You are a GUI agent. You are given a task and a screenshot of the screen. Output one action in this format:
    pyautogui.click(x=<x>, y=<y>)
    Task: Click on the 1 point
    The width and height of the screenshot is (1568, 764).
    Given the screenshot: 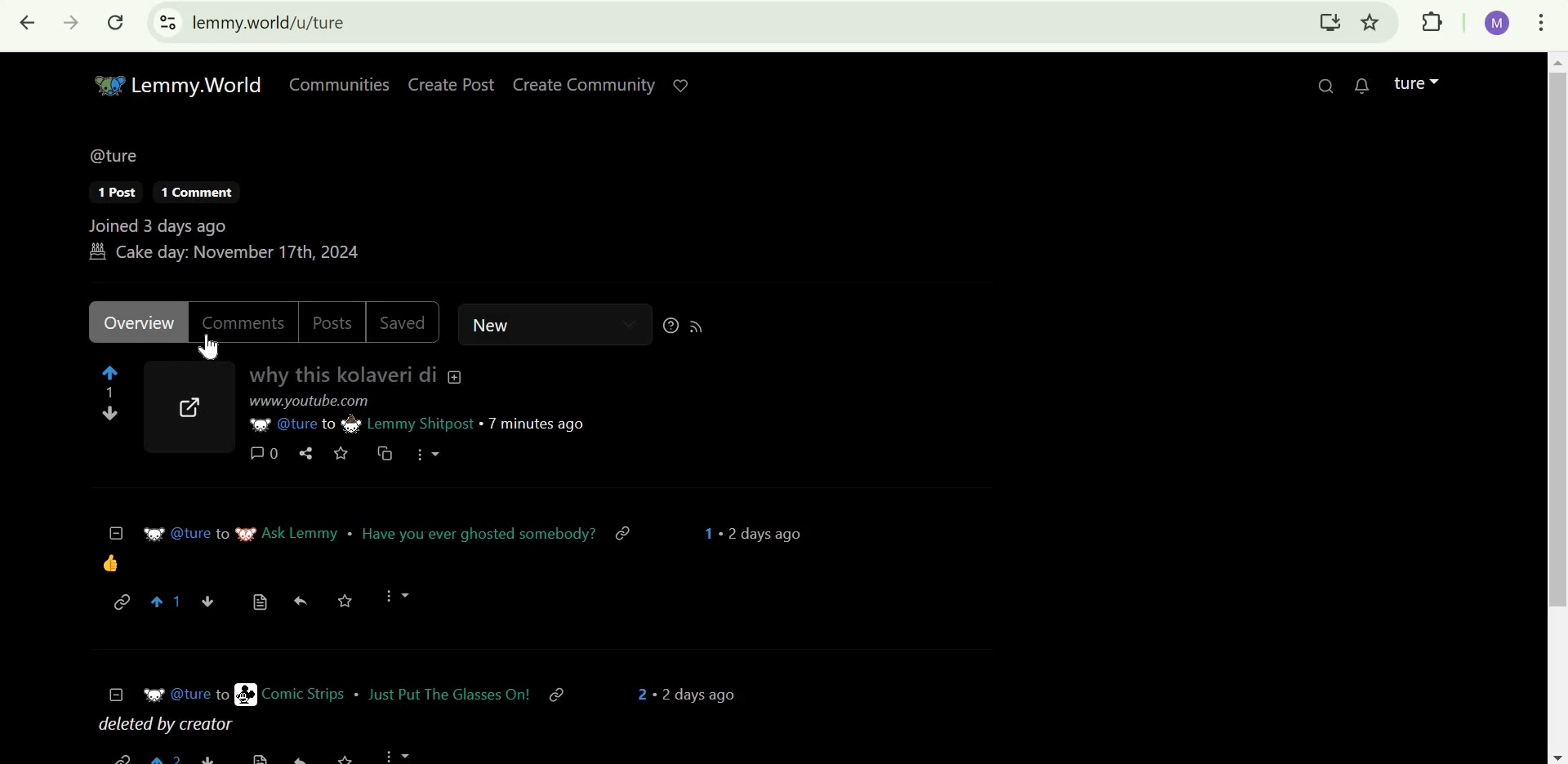 What is the action you would take?
    pyautogui.click(x=109, y=392)
    